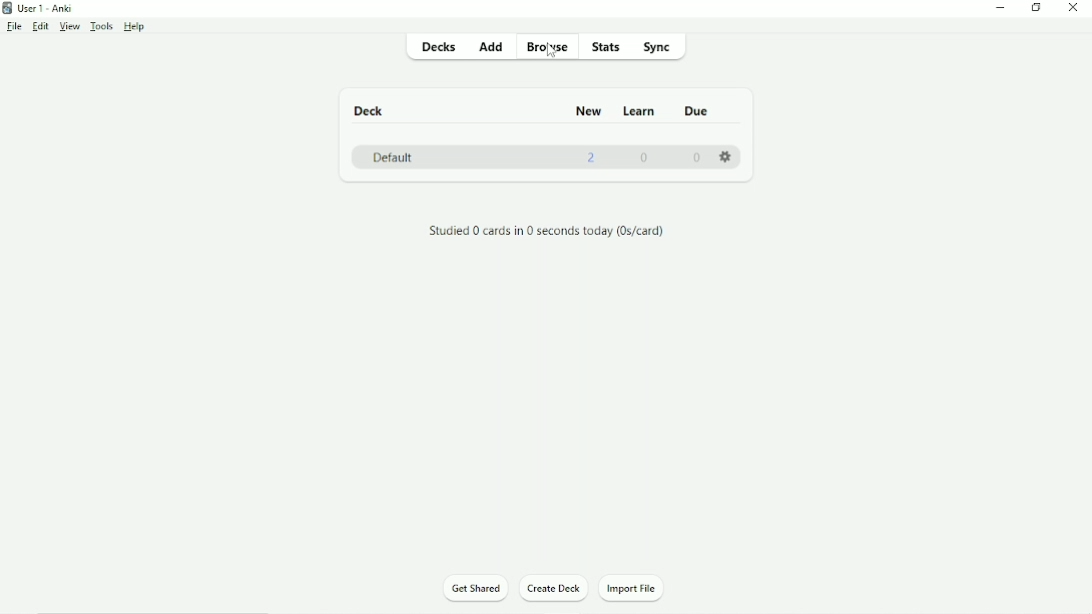  I want to click on Default, so click(388, 156).